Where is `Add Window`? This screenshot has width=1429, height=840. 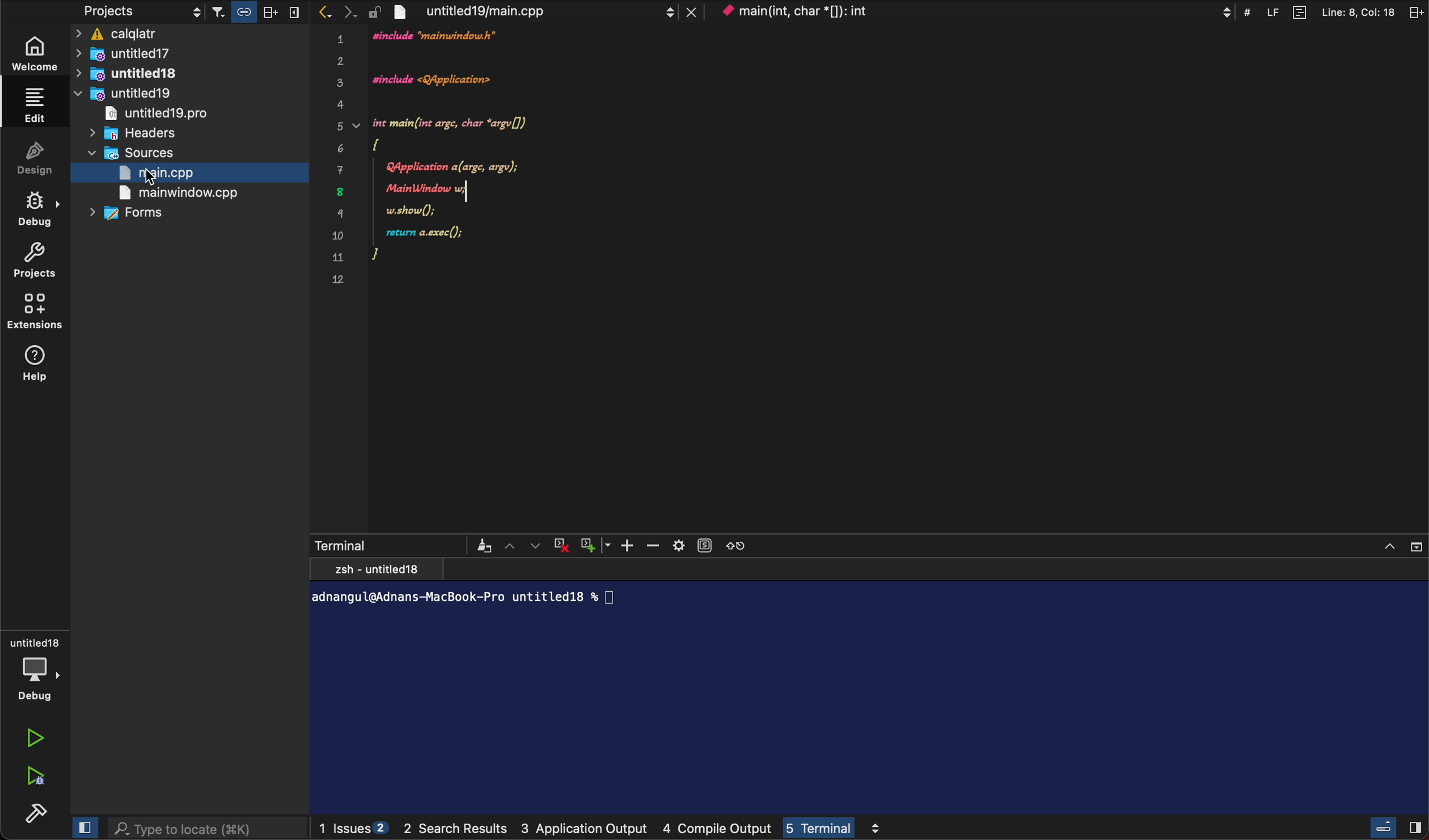 Add Window is located at coordinates (595, 544).